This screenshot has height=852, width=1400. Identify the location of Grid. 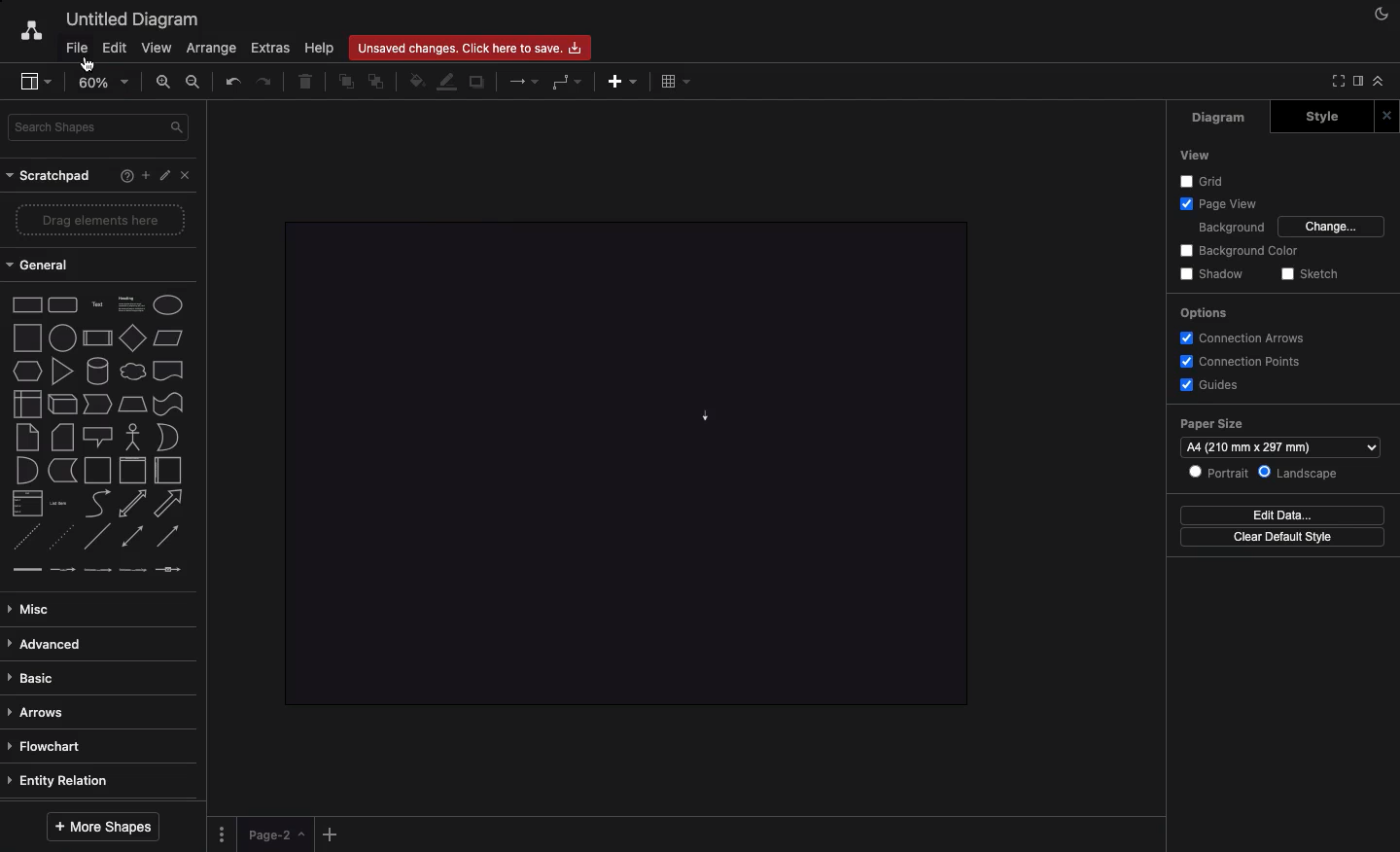
(1205, 180).